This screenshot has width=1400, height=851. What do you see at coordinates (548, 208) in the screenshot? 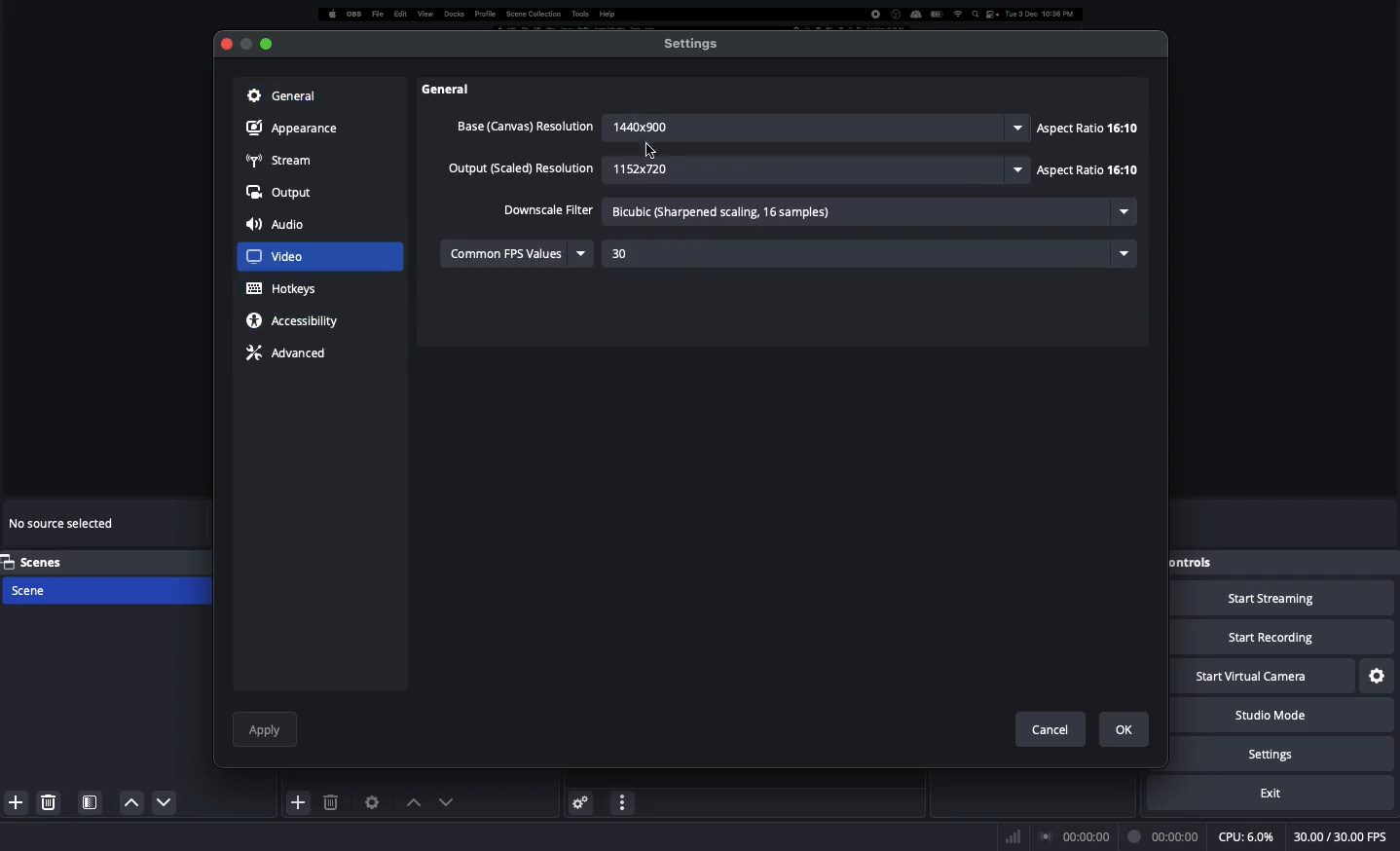
I see `Downscale filter` at bounding box center [548, 208].